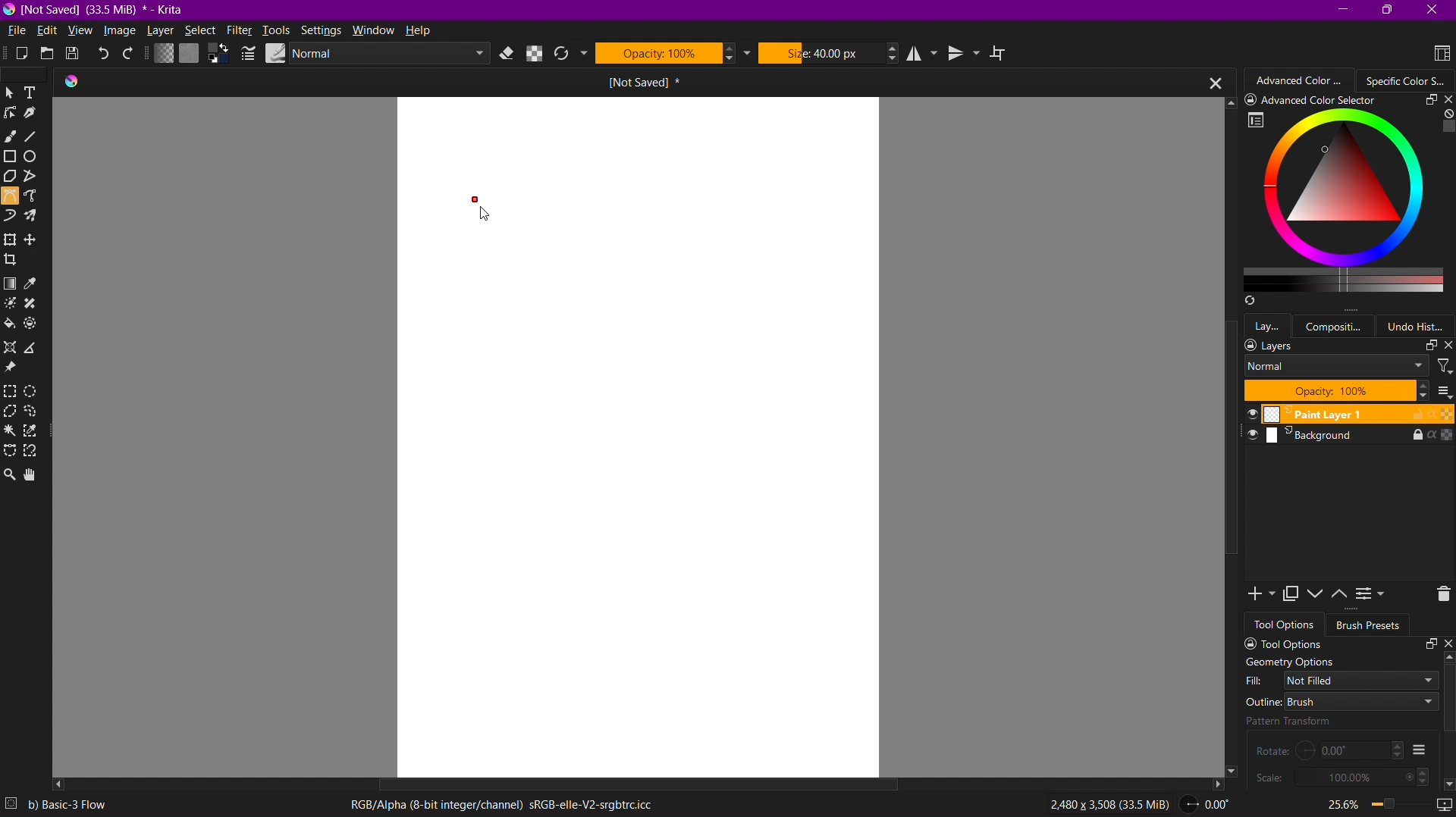  Describe the element at coordinates (10, 473) in the screenshot. I see `Zoom Tool` at that location.